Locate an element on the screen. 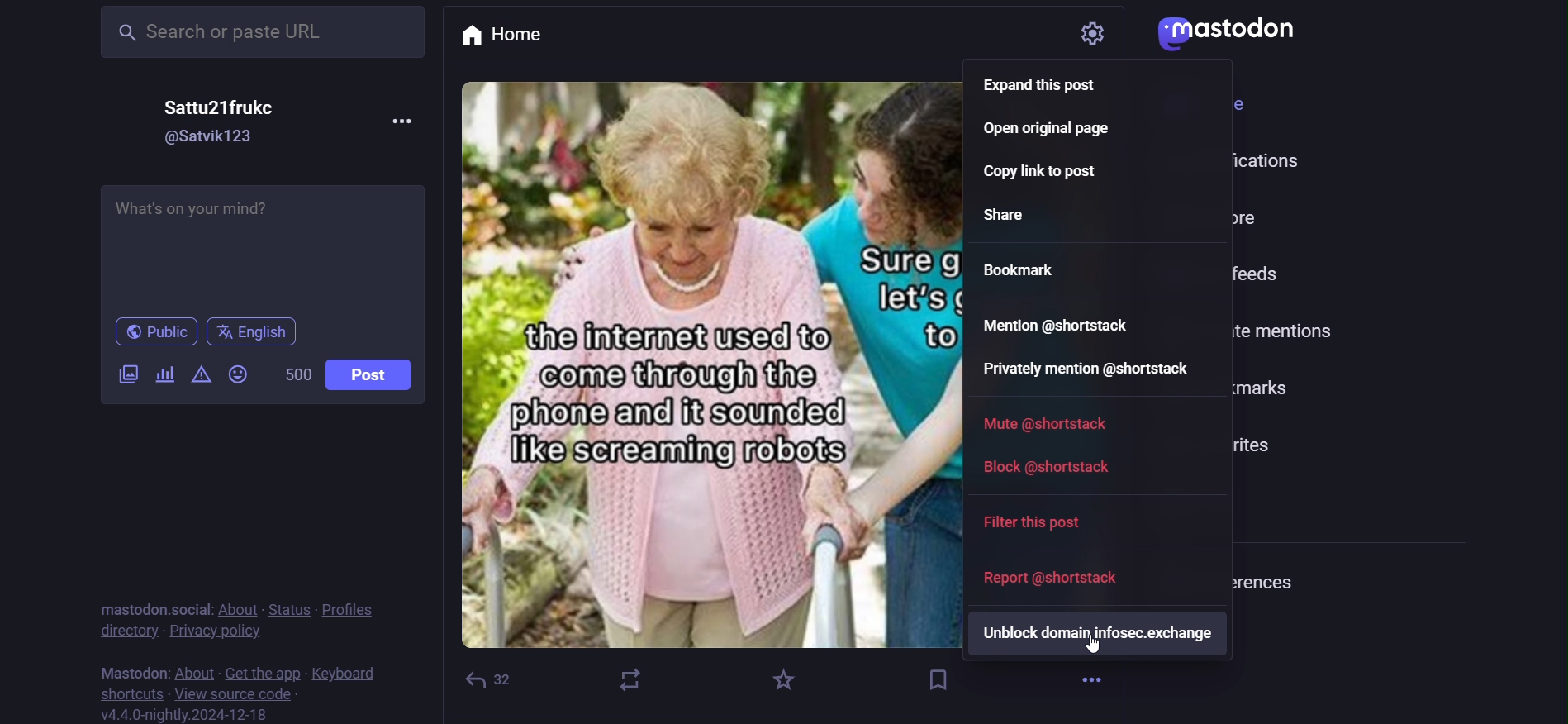 The height and width of the screenshot is (724, 1568). bookmark is located at coordinates (938, 676).